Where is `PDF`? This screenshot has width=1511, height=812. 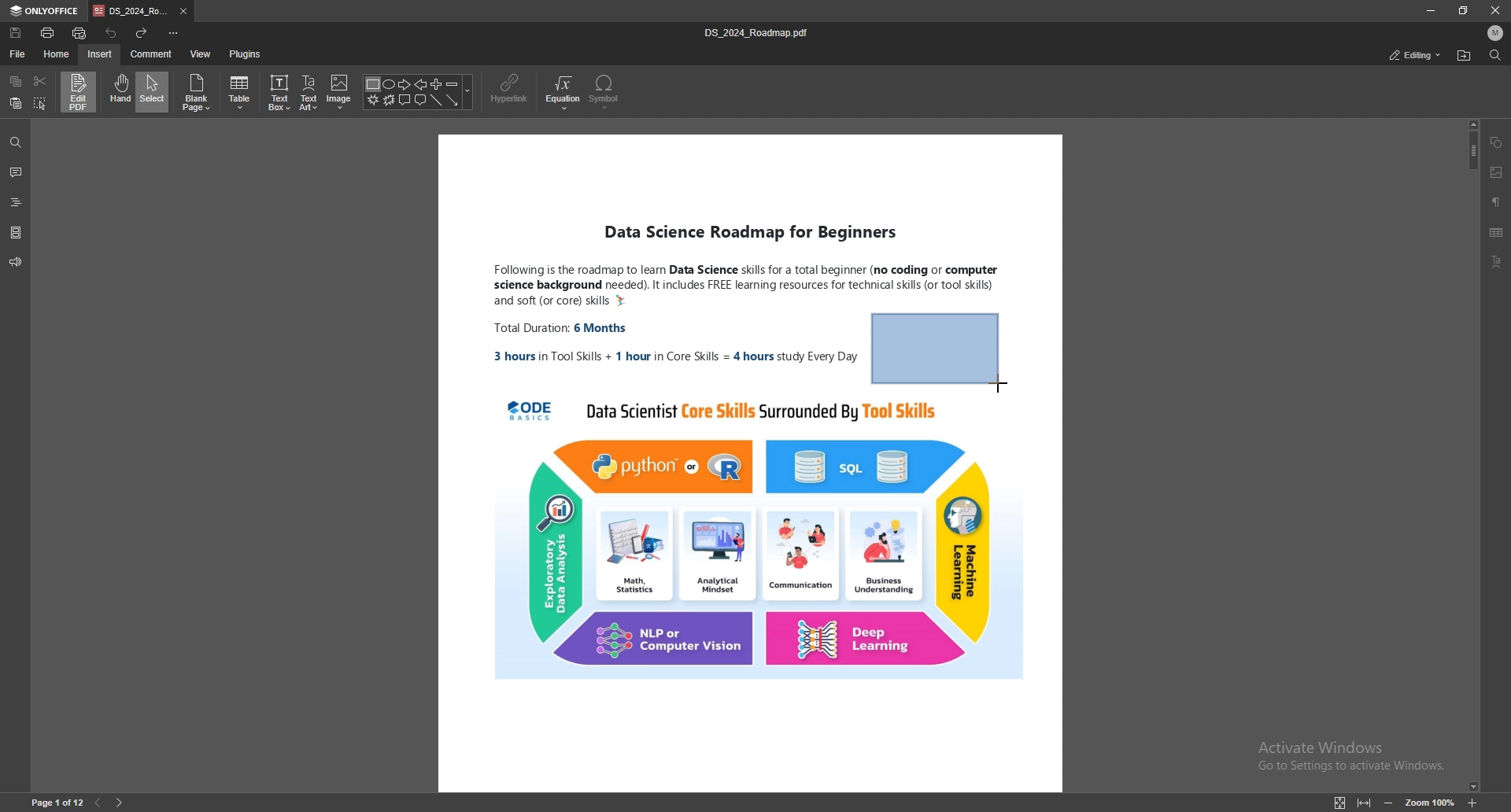 PDF is located at coordinates (844, 349).